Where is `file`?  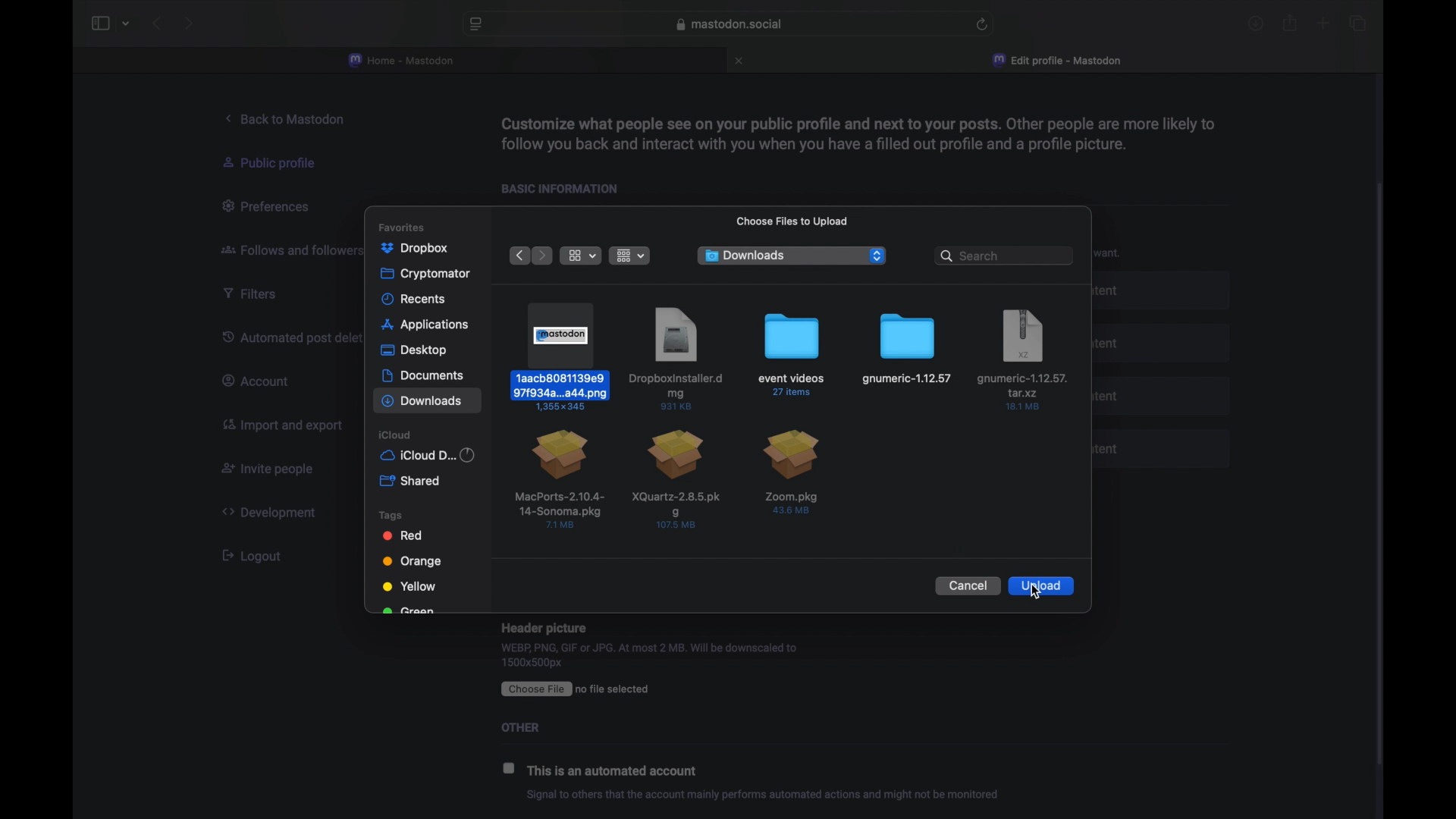
file is located at coordinates (1023, 360).